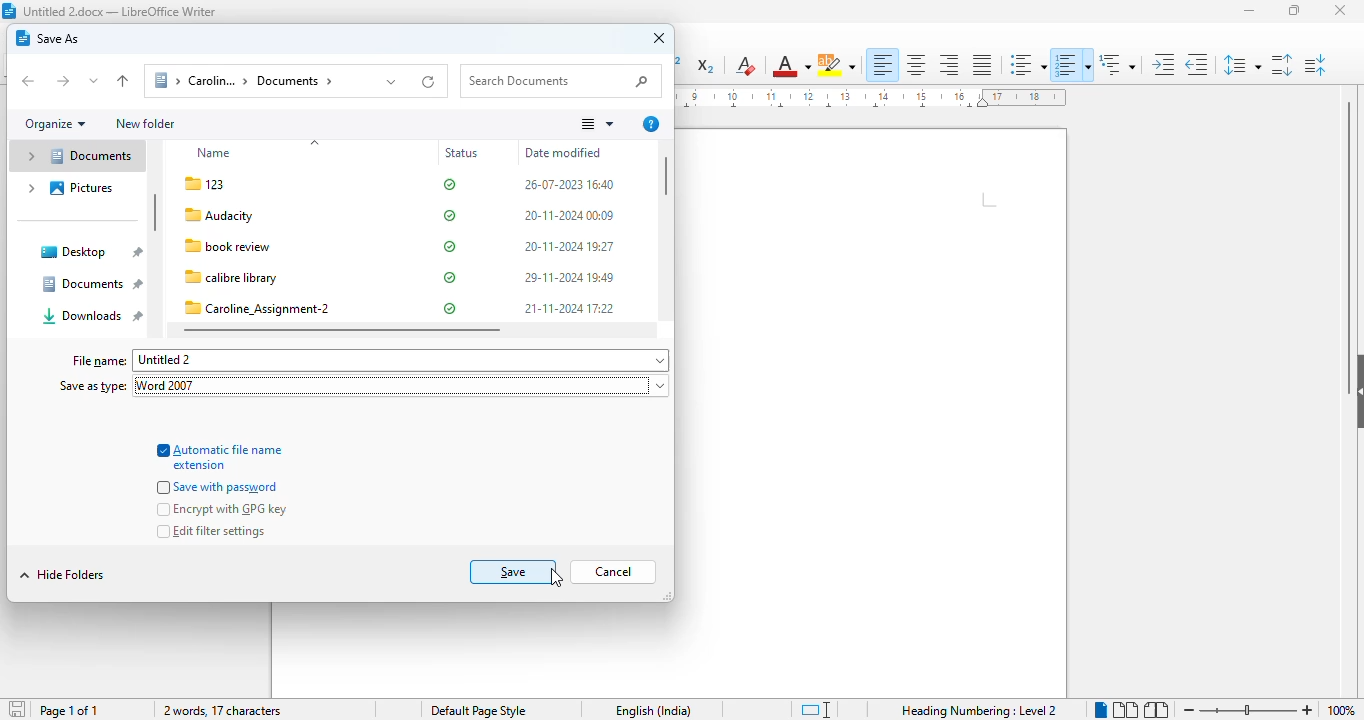  What do you see at coordinates (145, 123) in the screenshot?
I see `new folder` at bounding box center [145, 123].